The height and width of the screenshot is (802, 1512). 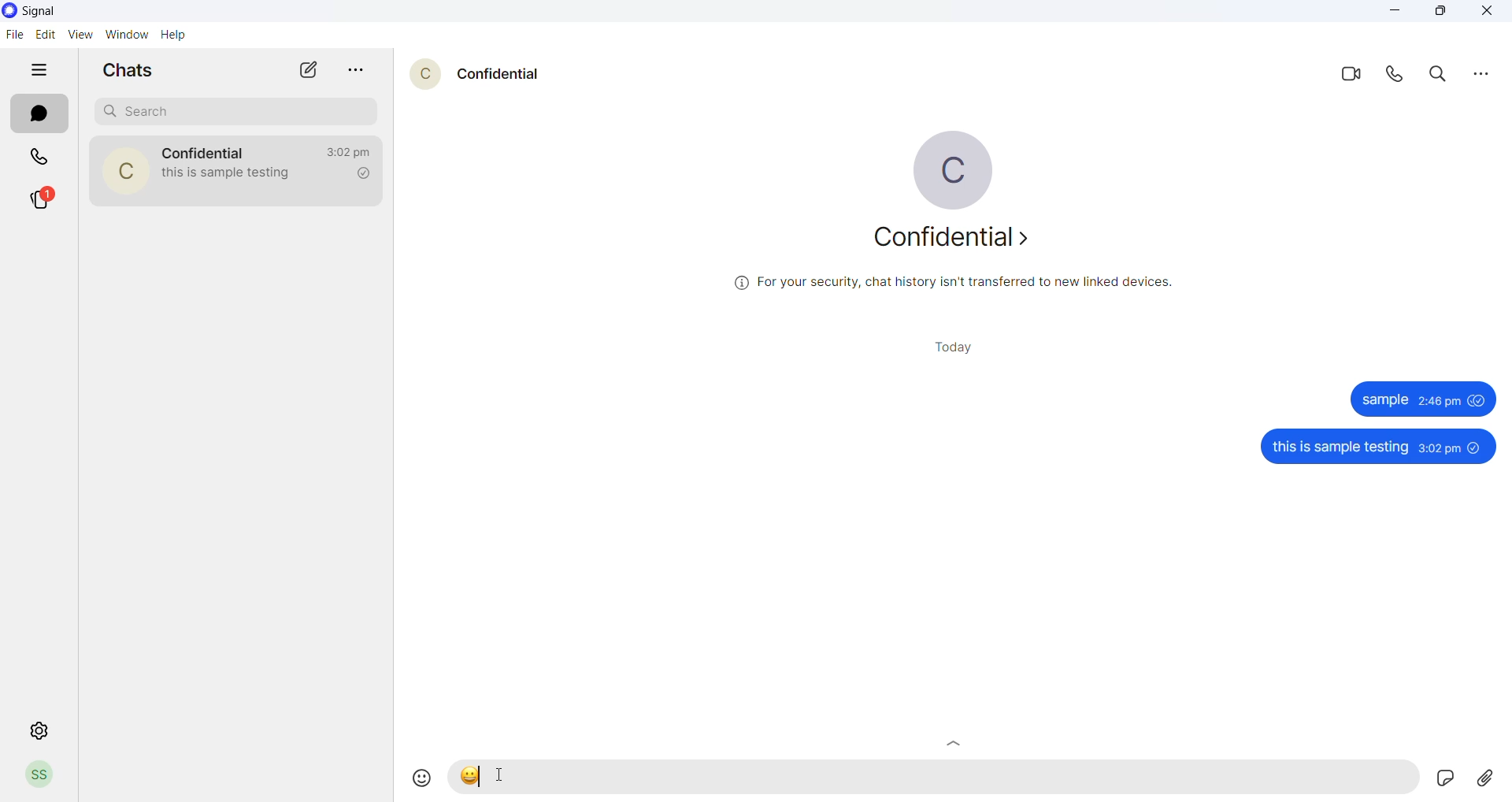 I want to click on seen, so click(x=1477, y=400).